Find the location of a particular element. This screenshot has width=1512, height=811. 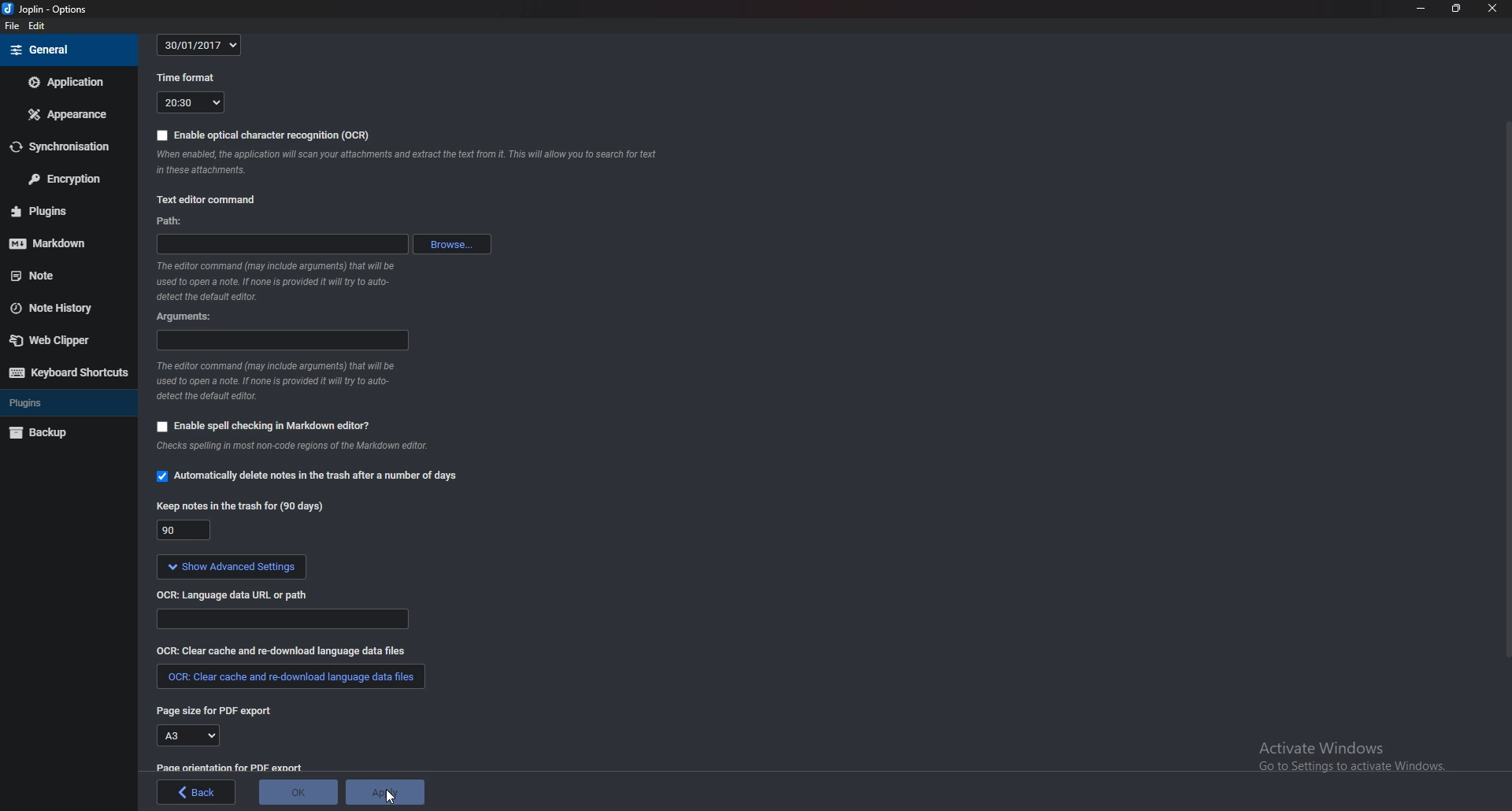

Back up is located at coordinates (57, 433).